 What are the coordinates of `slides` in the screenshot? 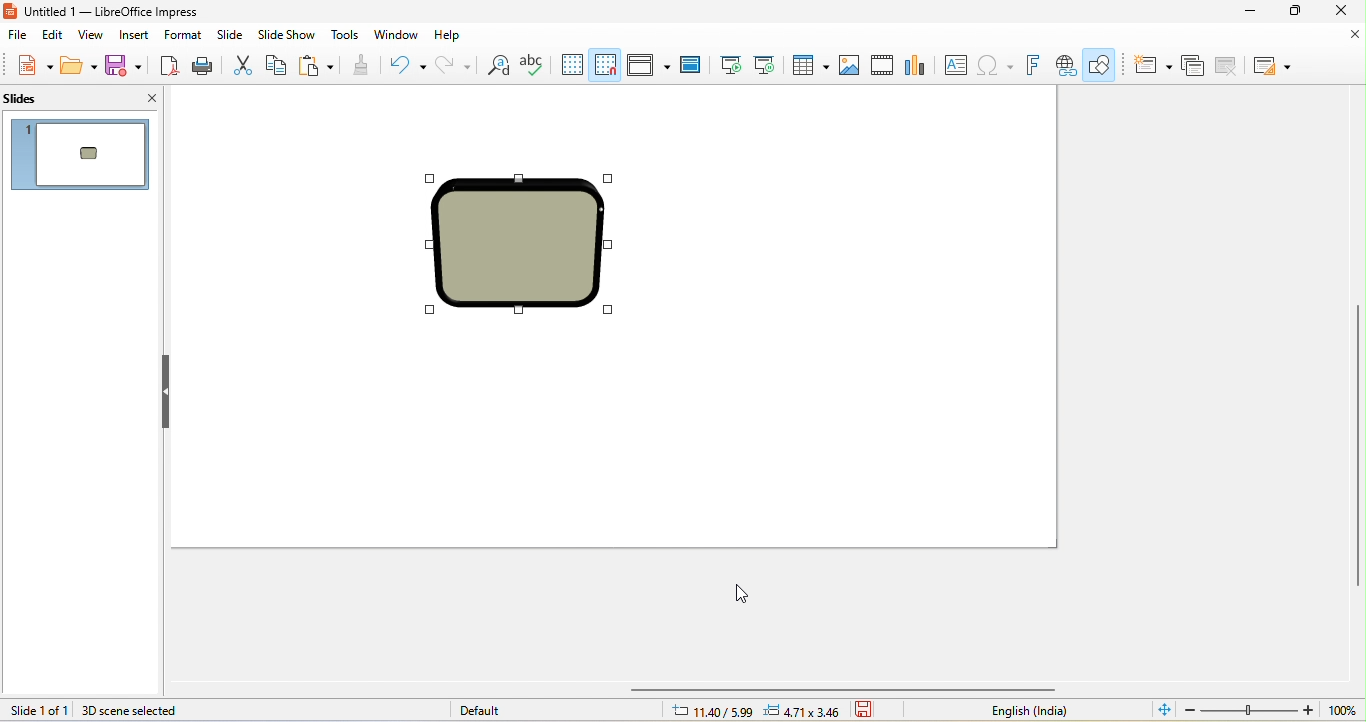 It's located at (42, 100).